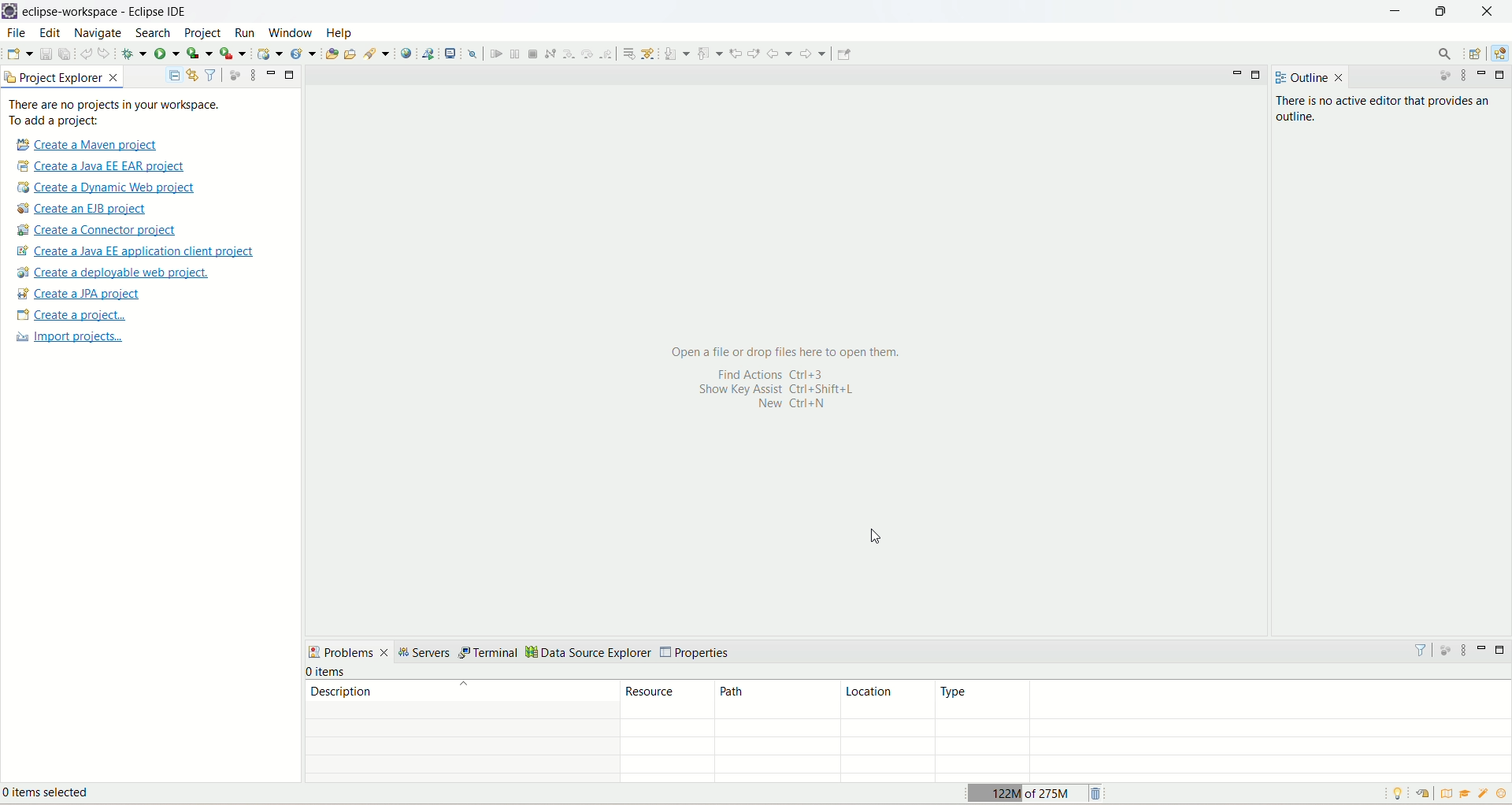 The image size is (1512, 805). Describe the element at coordinates (586, 54) in the screenshot. I see `step over` at that location.